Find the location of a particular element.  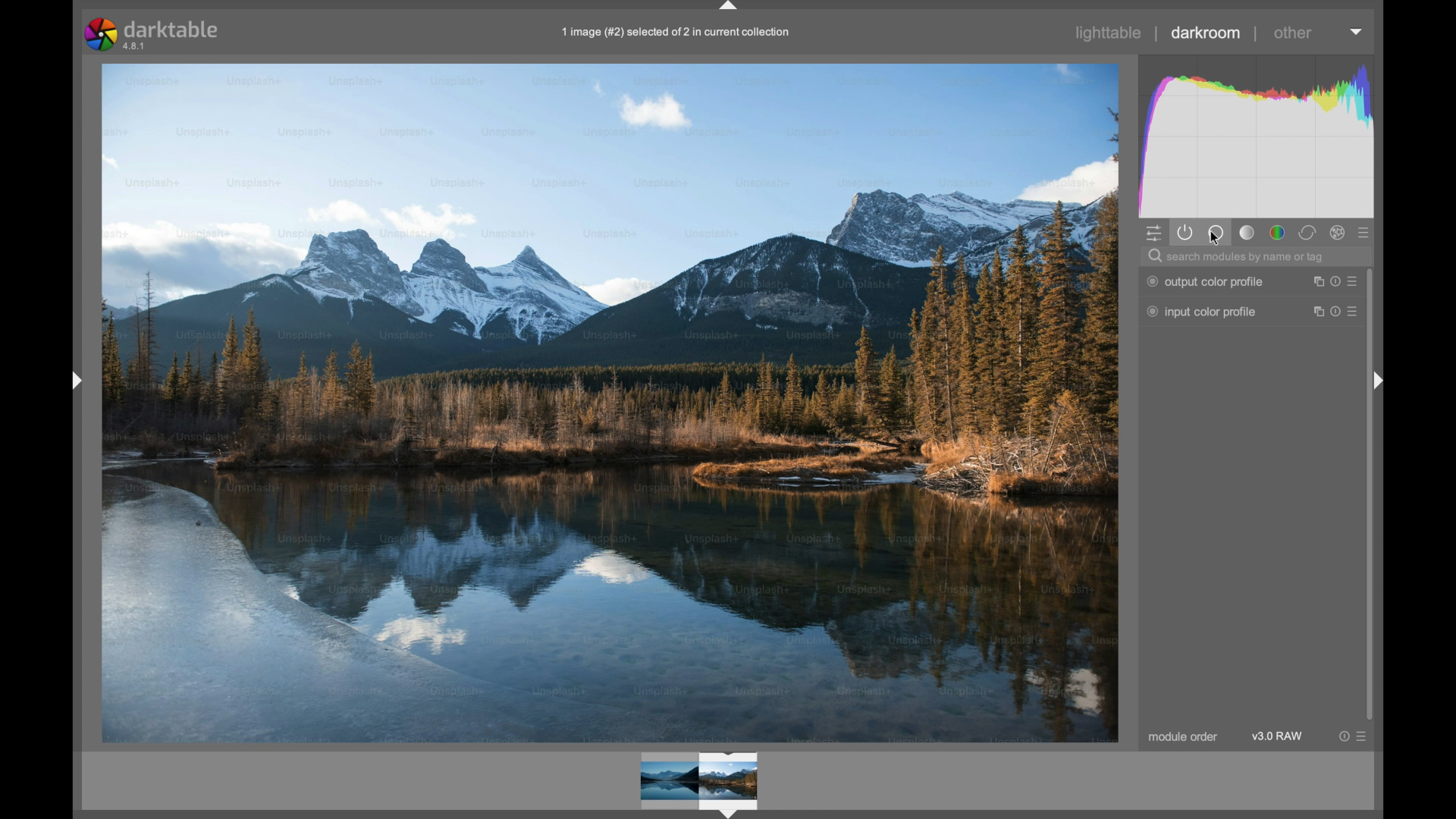

presets is located at coordinates (1357, 312).